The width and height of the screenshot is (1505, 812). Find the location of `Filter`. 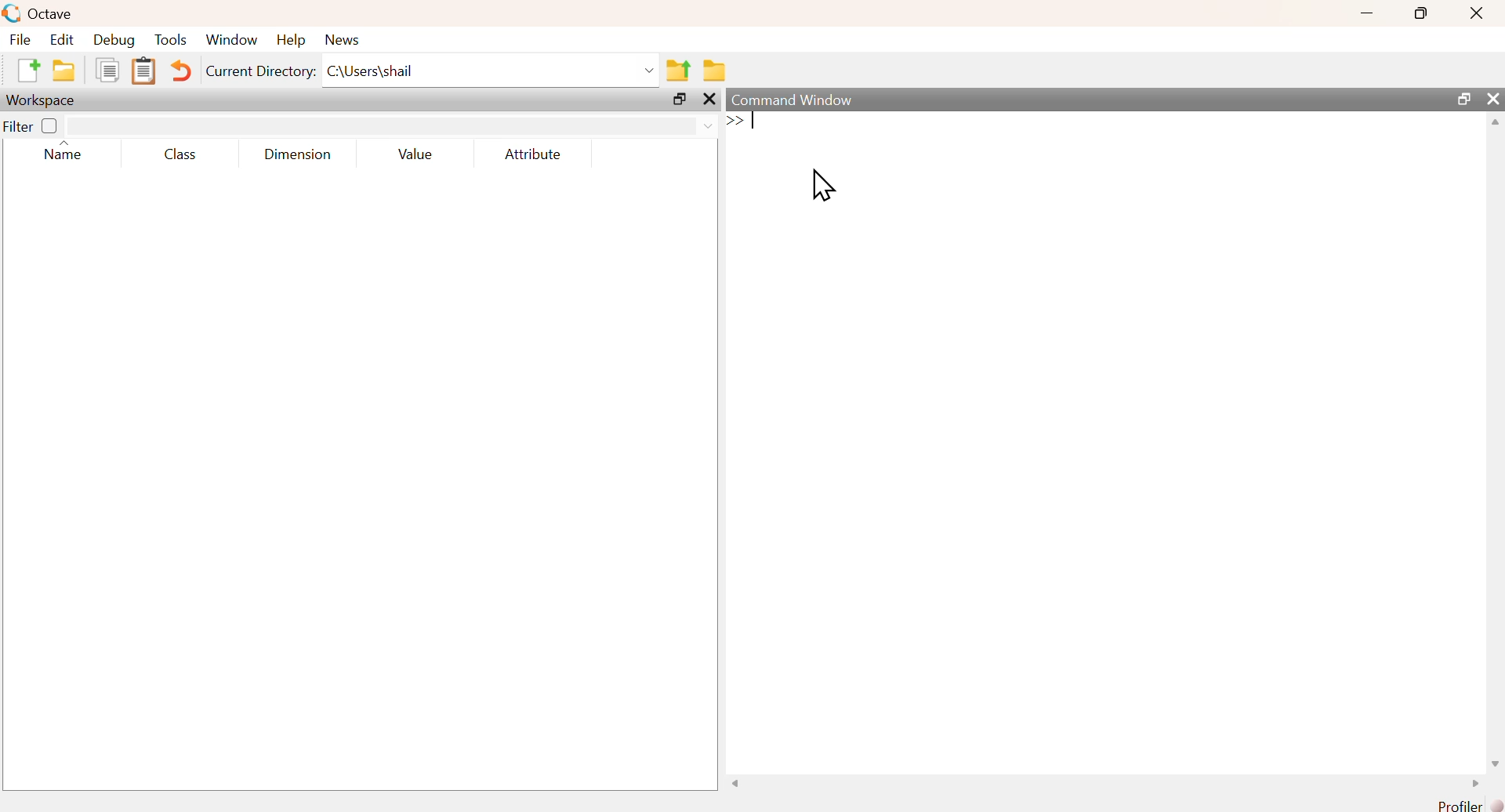

Filter is located at coordinates (33, 125).